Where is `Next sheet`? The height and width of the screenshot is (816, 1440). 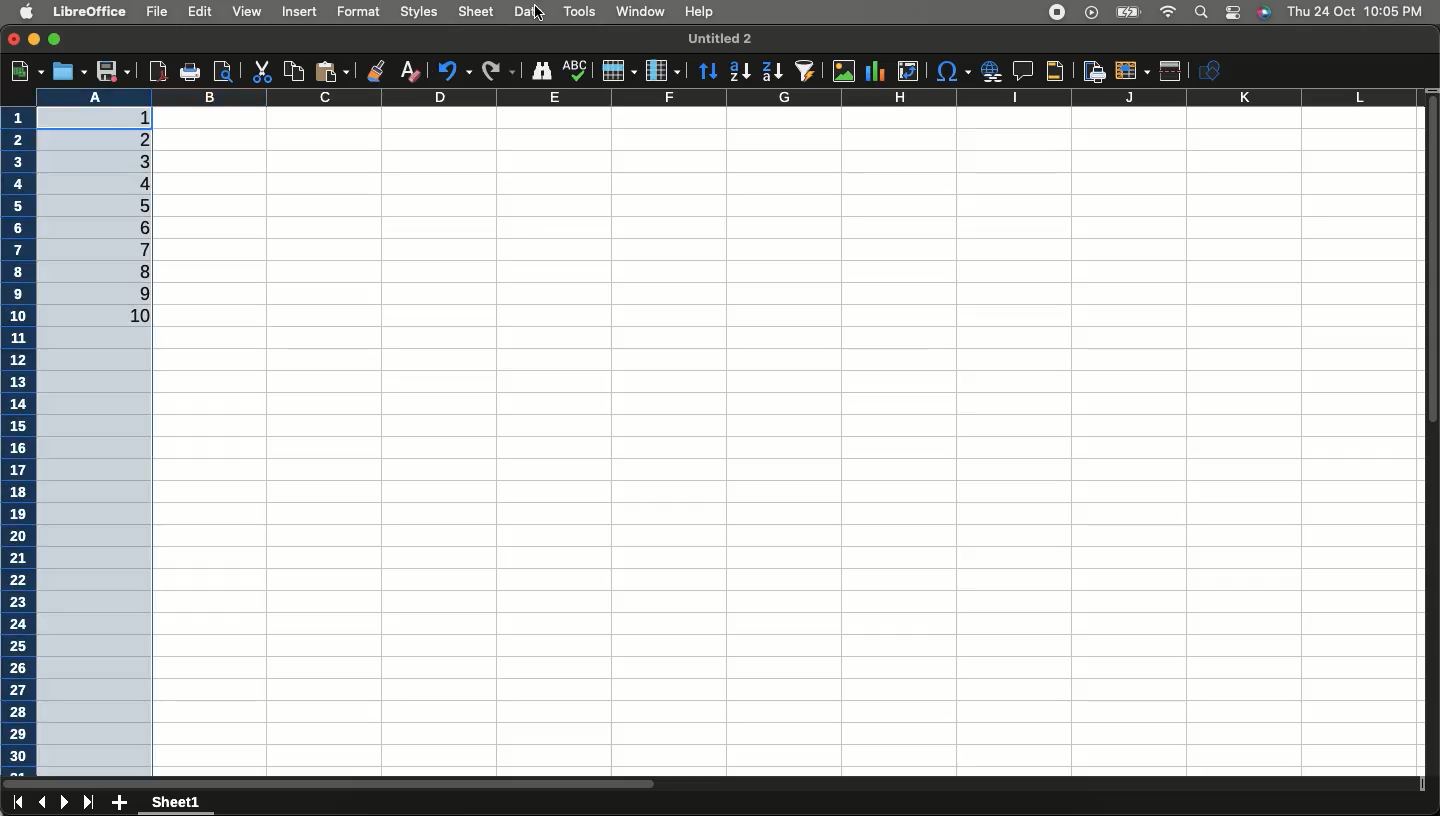
Next sheet is located at coordinates (66, 804).